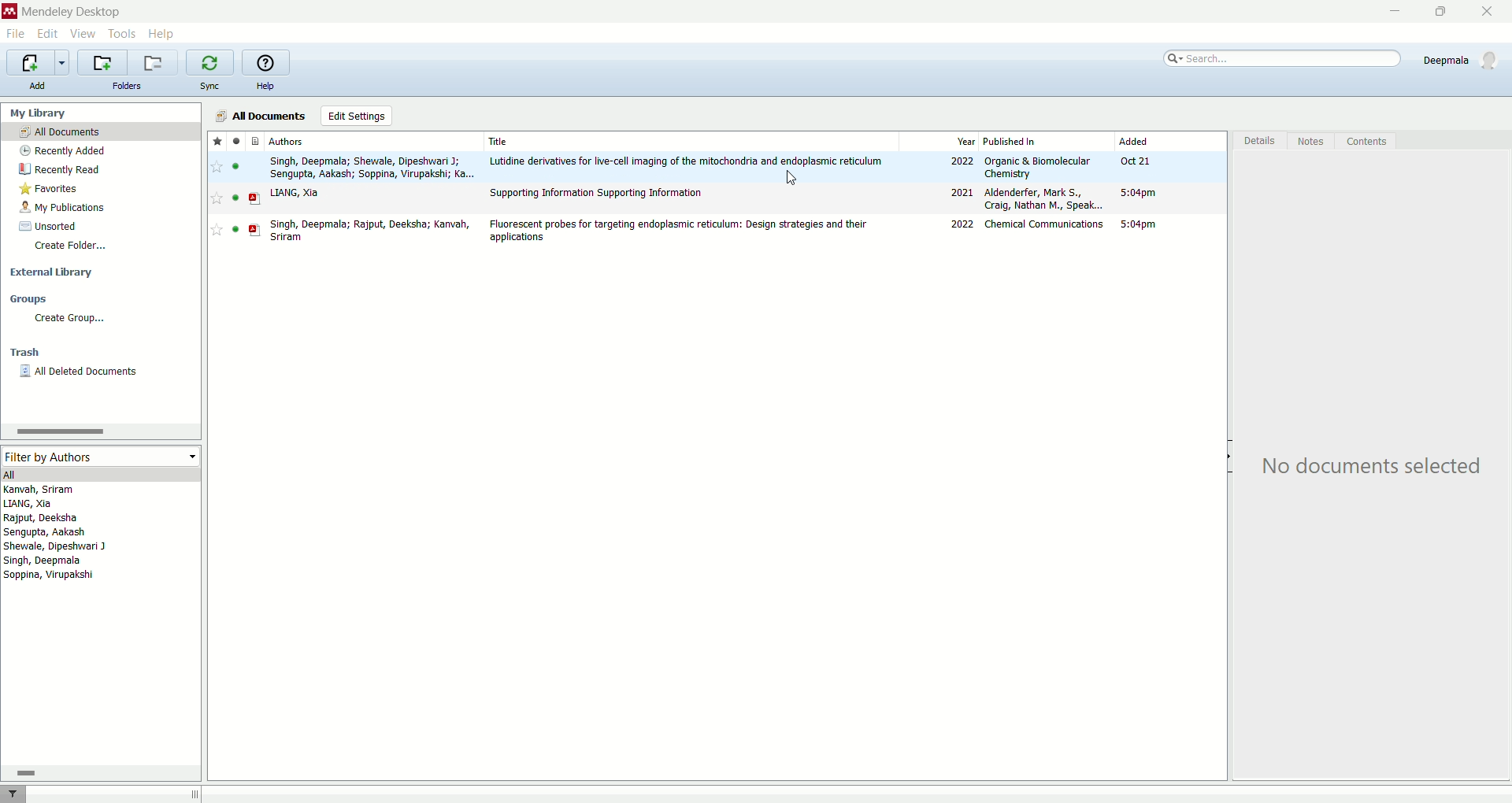 Image resolution: width=1512 pixels, height=803 pixels. What do you see at coordinates (962, 192) in the screenshot?
I see `2021` at bounding box center [962, 192].